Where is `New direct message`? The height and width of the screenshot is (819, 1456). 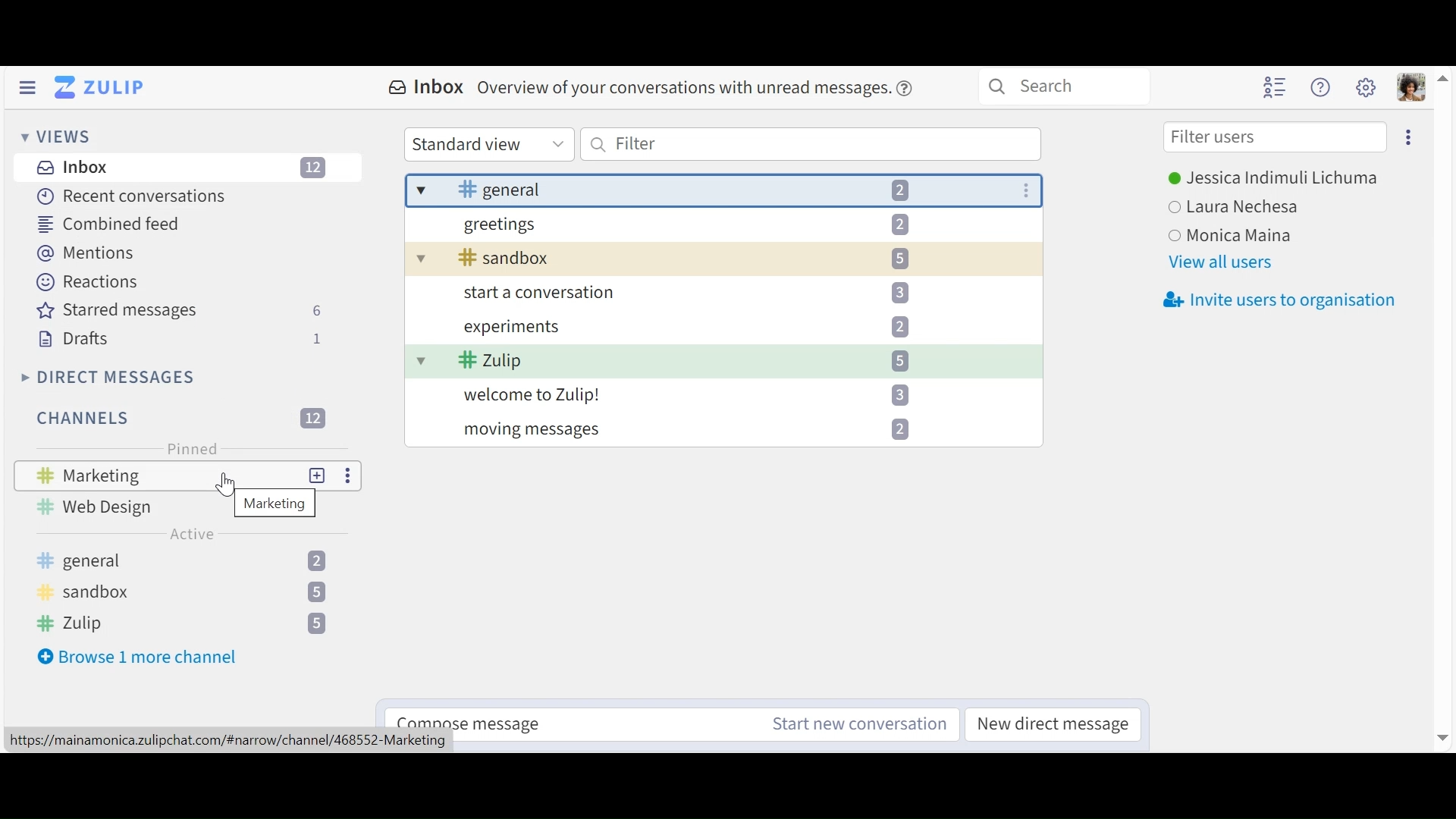 New direct message is located at coordinates (1056, 723).